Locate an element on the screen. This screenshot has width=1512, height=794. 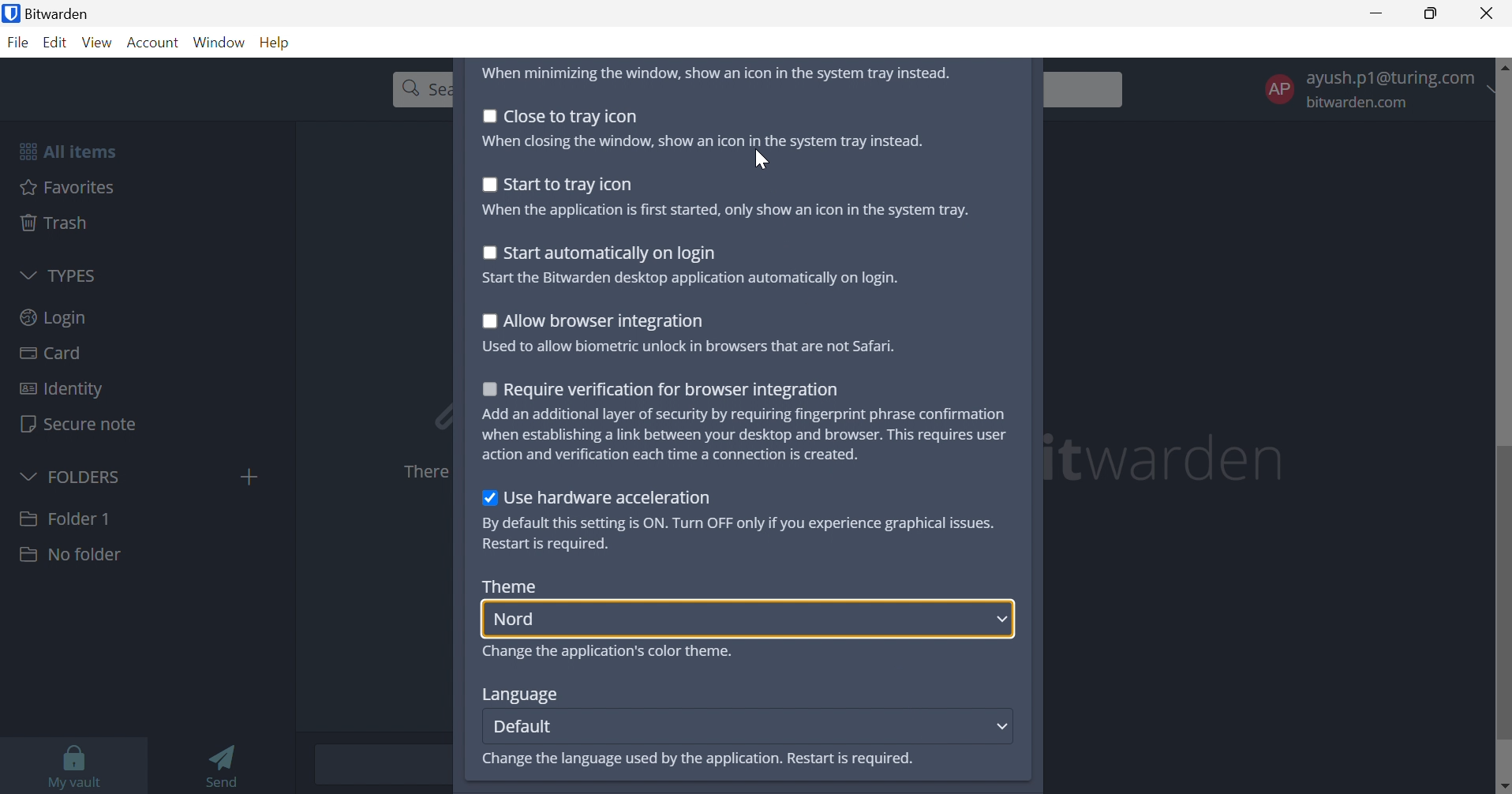
Add an additional layer of security by requiring fingerprint phrase confirmation is located at coordinates (747, 414).